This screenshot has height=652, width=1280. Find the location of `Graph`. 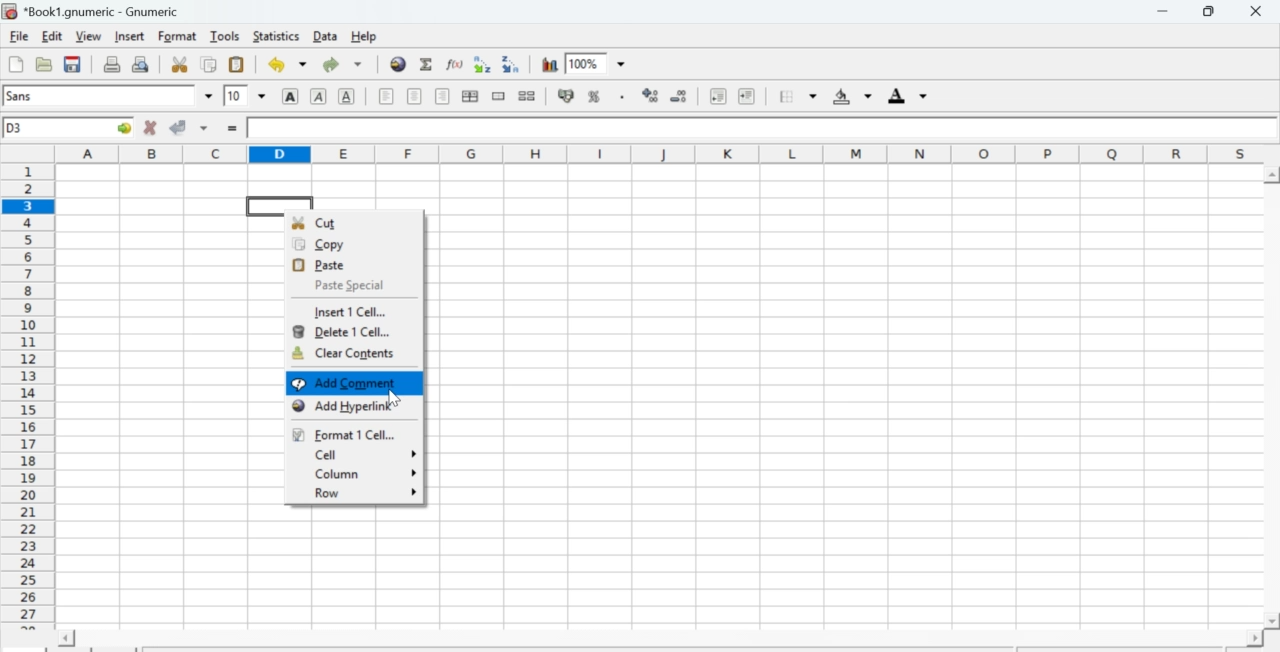

Graph is located at coordinates (550, 63).